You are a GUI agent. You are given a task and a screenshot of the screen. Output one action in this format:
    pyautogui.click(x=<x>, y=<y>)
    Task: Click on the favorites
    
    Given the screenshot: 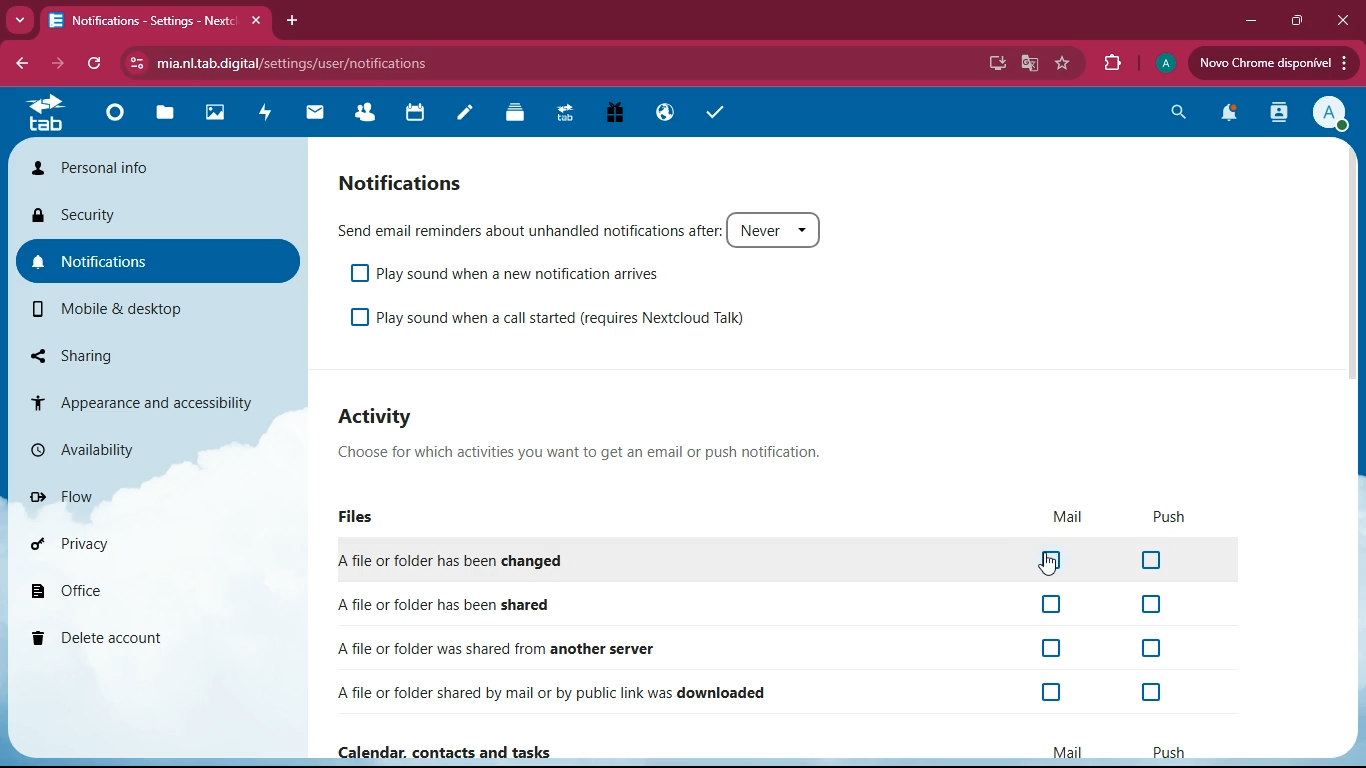 What is the action you would take?
    pyautogui.click(x=1065, y=65)
    